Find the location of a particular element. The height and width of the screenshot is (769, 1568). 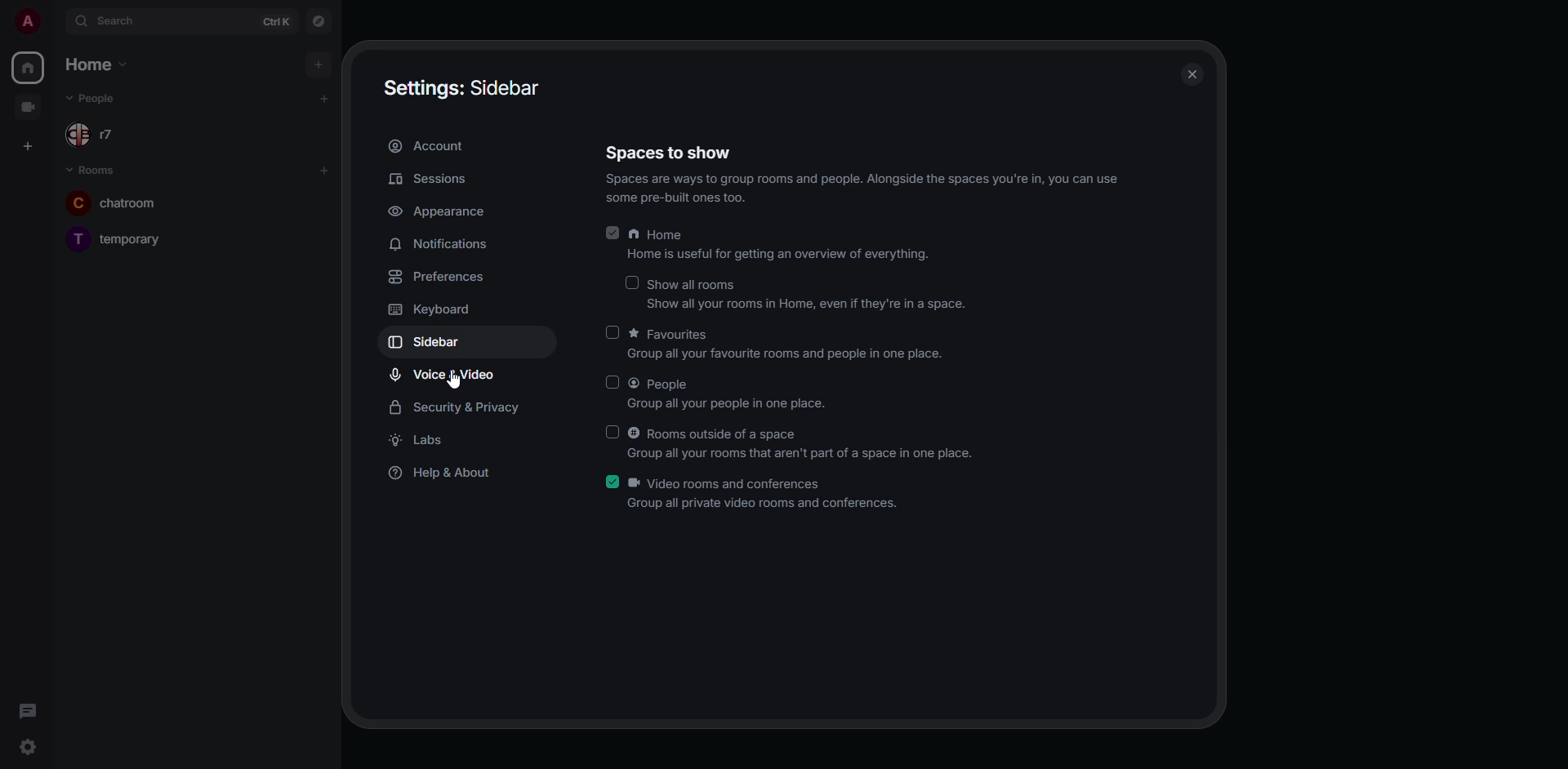

rooms is located at coordinates (95, 171).